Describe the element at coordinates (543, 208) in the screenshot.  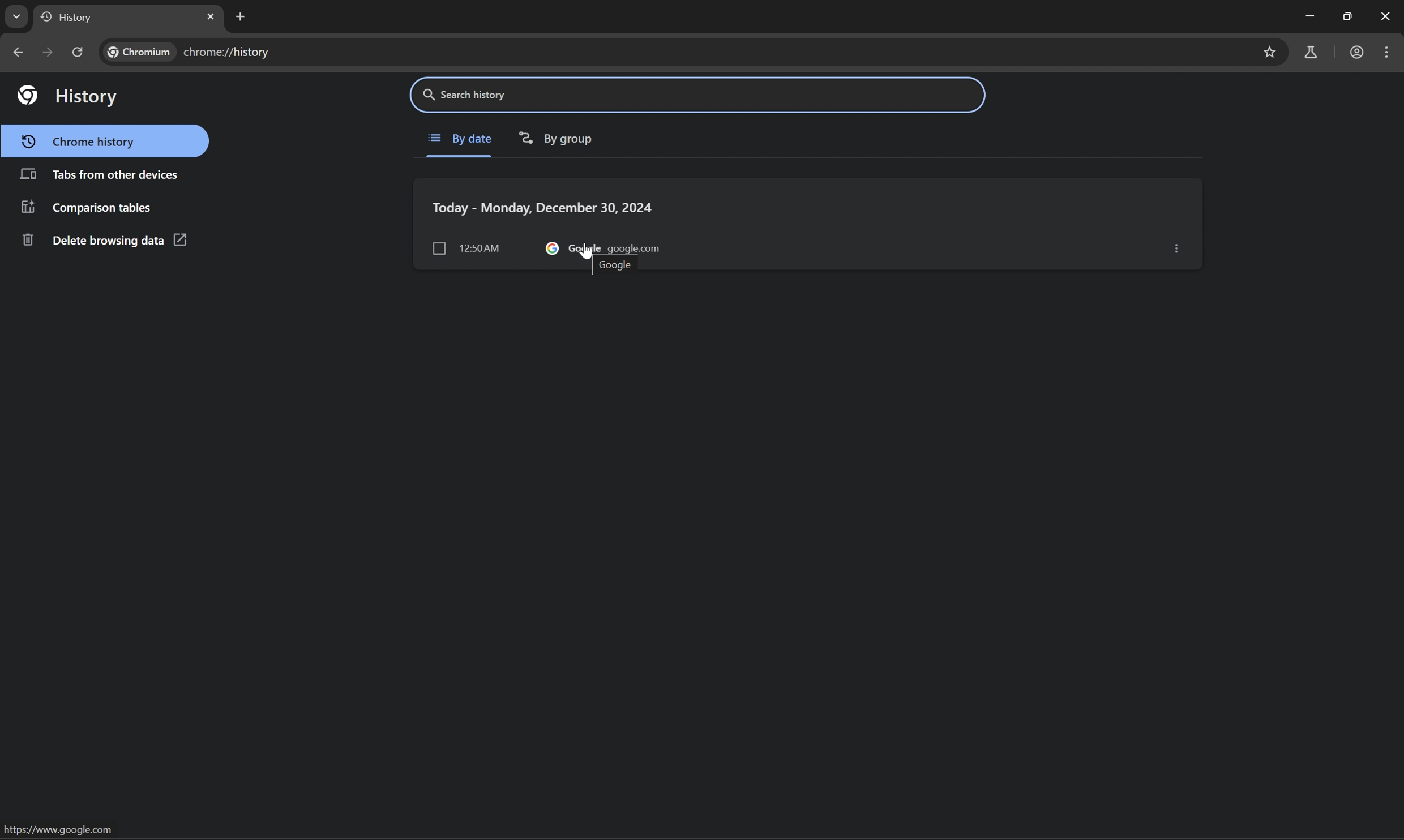
I see `Today-Monday, December 30, 2024` at that location.